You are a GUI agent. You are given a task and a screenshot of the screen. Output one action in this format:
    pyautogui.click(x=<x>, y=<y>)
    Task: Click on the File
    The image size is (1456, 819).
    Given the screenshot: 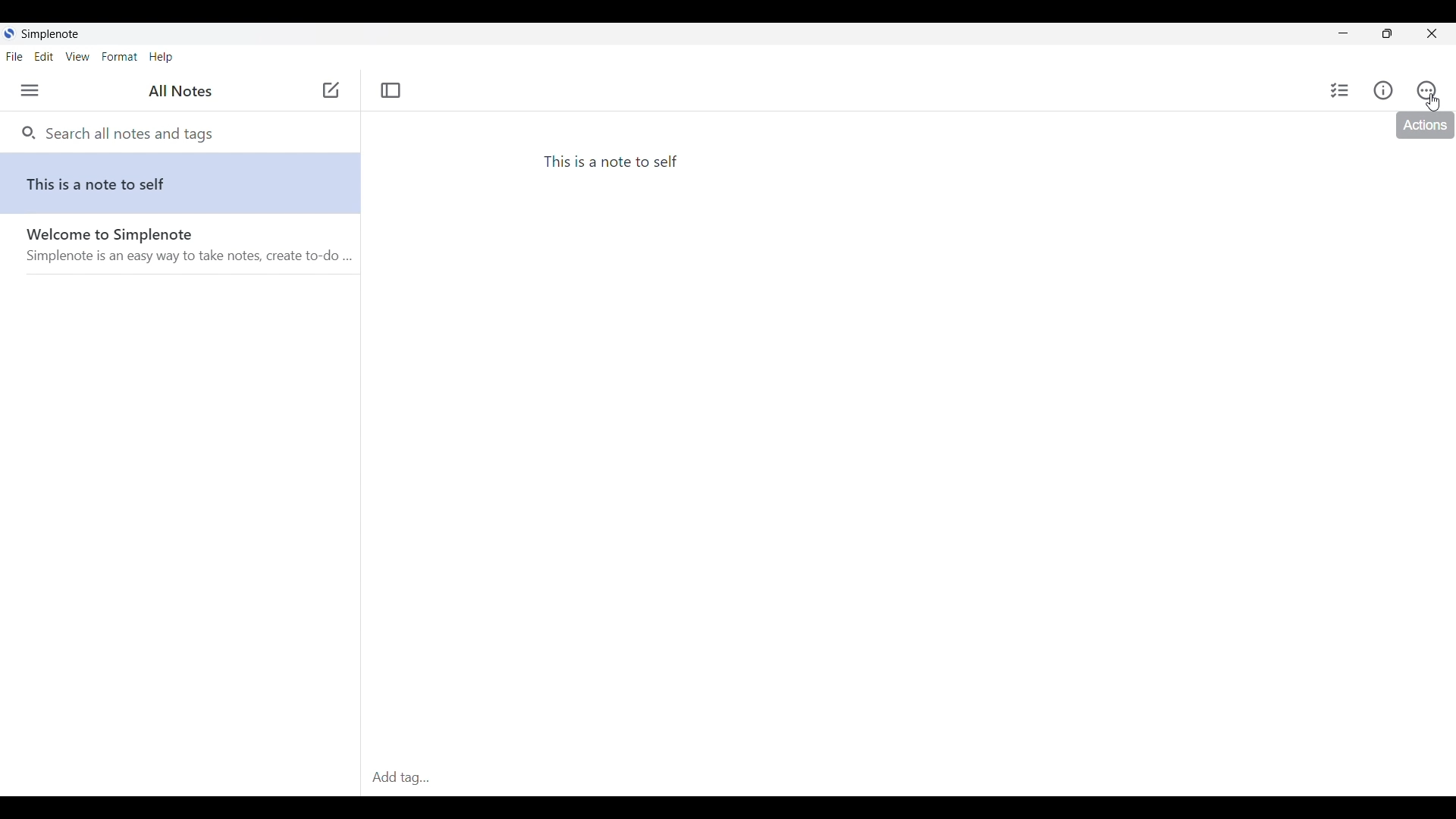 What is the action you would take?
    pyautogui.click(x=14, y=57)
    